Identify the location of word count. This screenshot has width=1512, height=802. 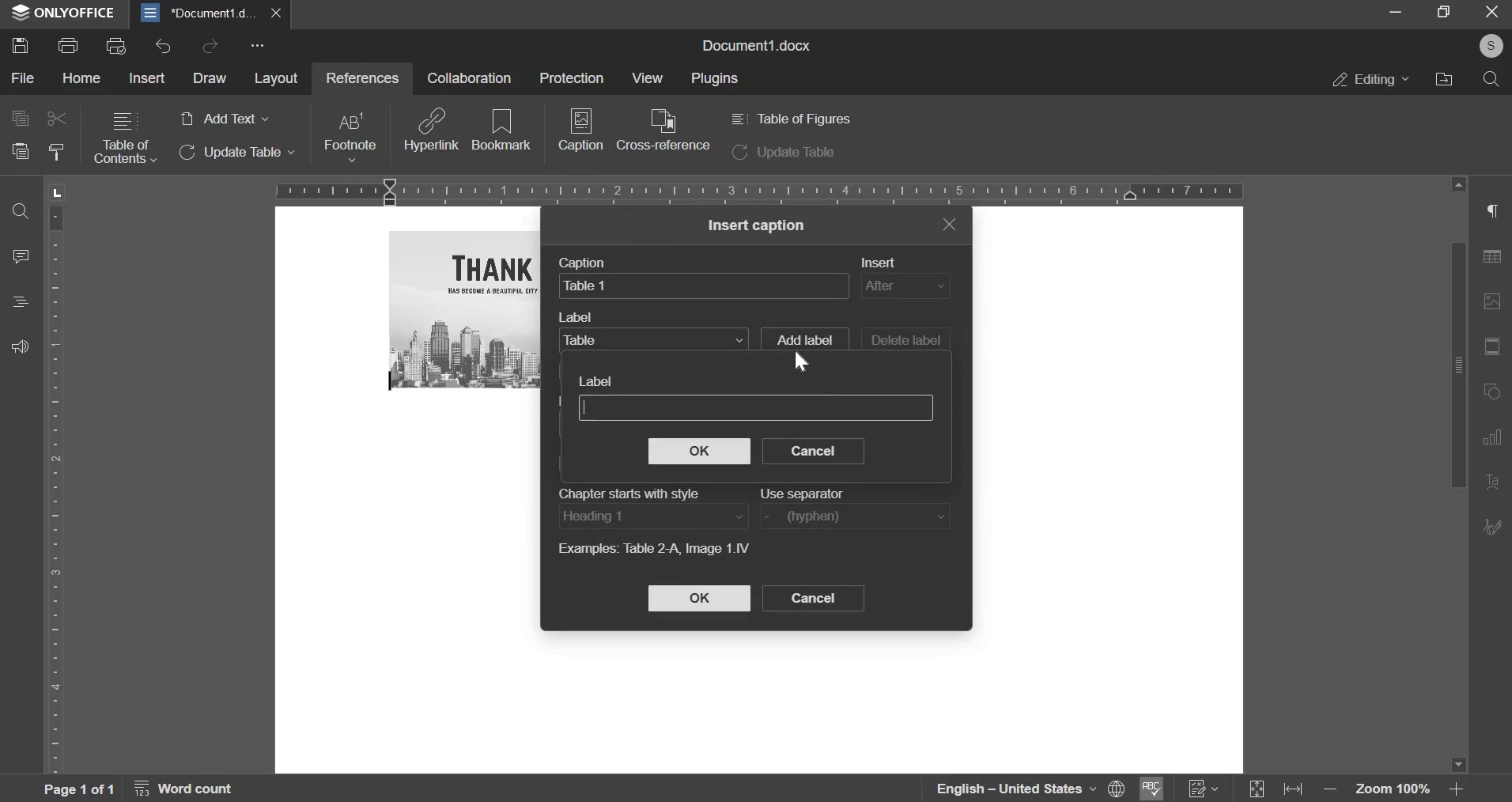
(193, 791).